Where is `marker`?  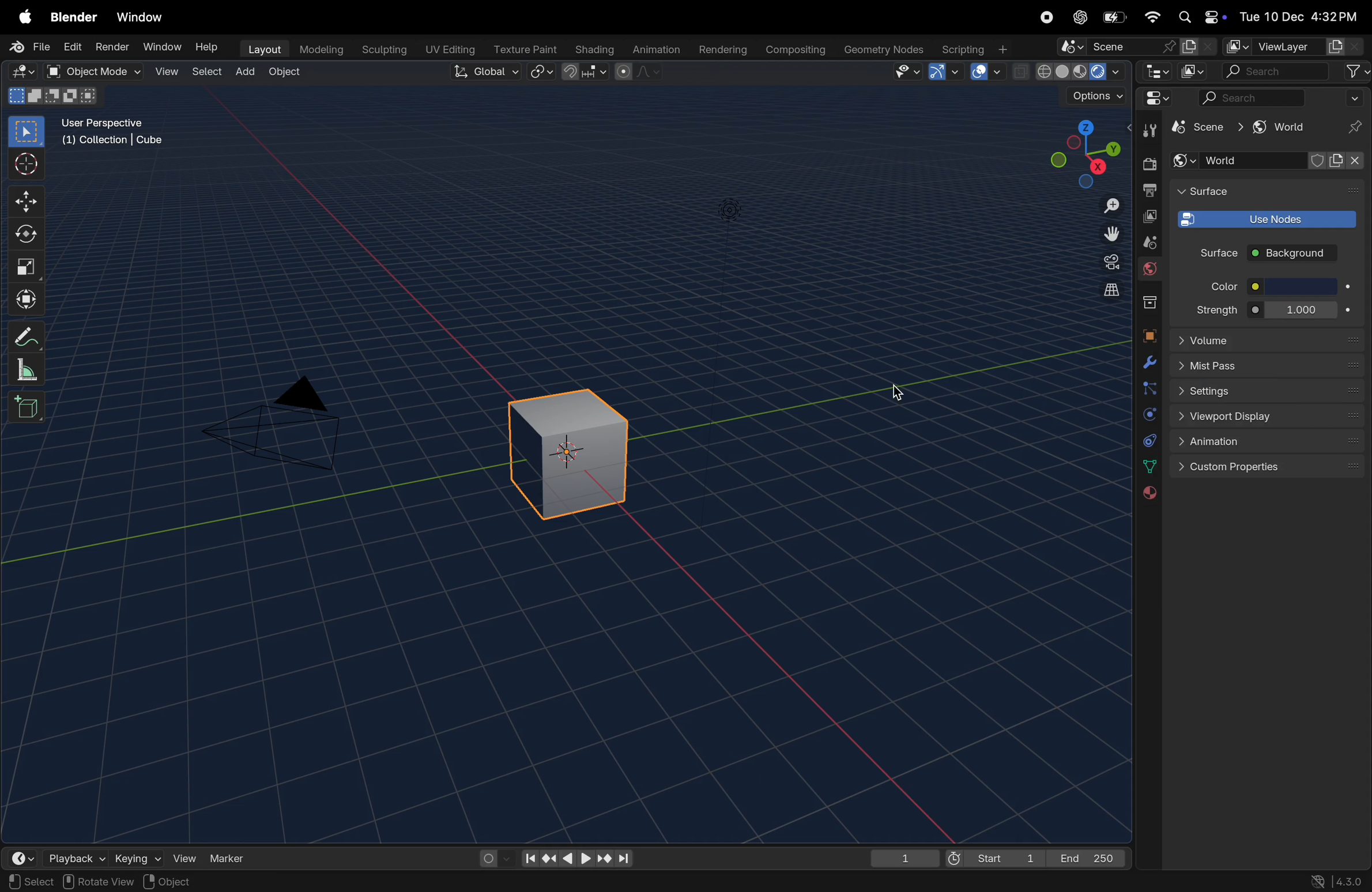
marker is located at coordinates (236, 857).